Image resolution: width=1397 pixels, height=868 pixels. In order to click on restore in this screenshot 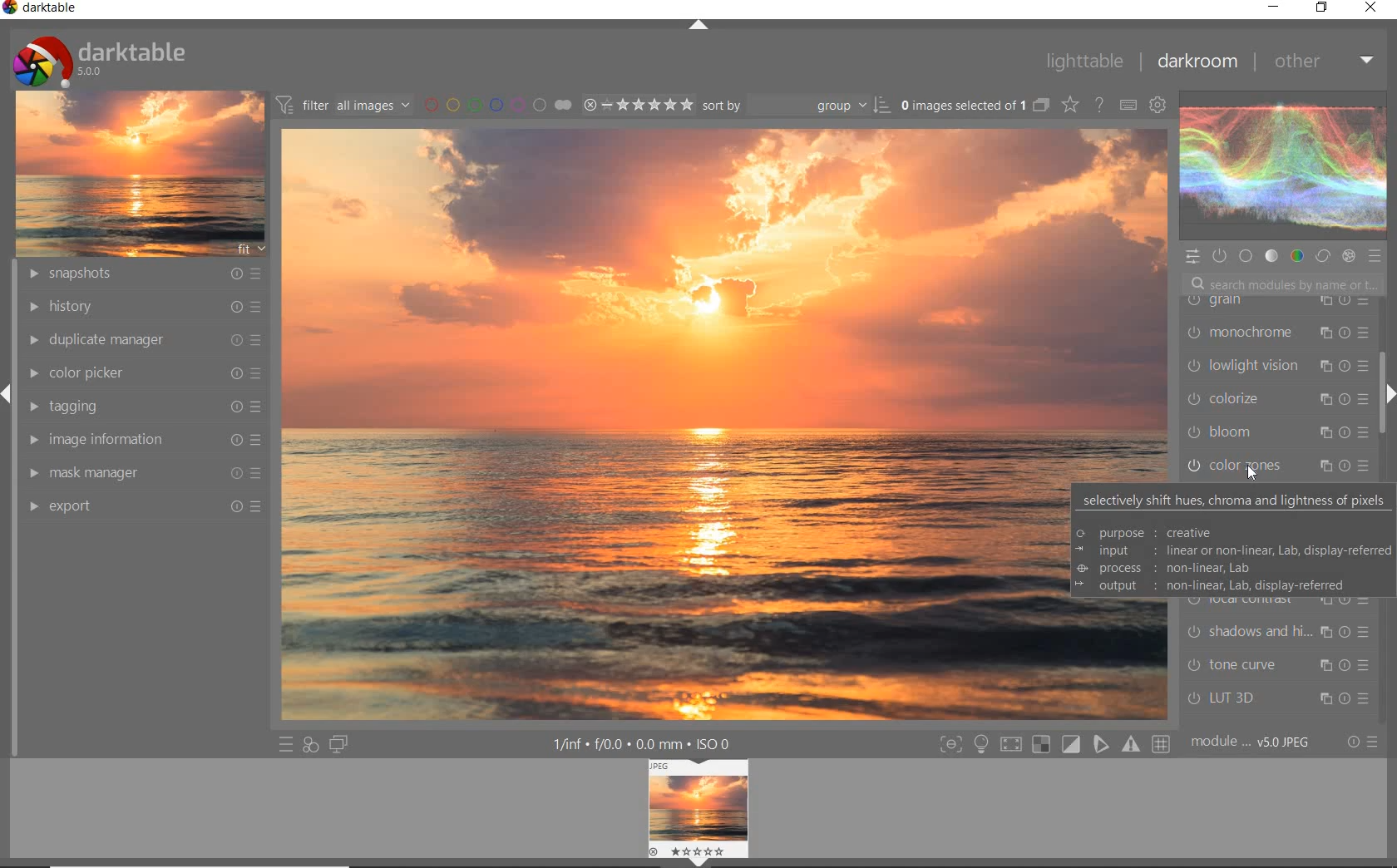, I will do `click(1321, 8)`.